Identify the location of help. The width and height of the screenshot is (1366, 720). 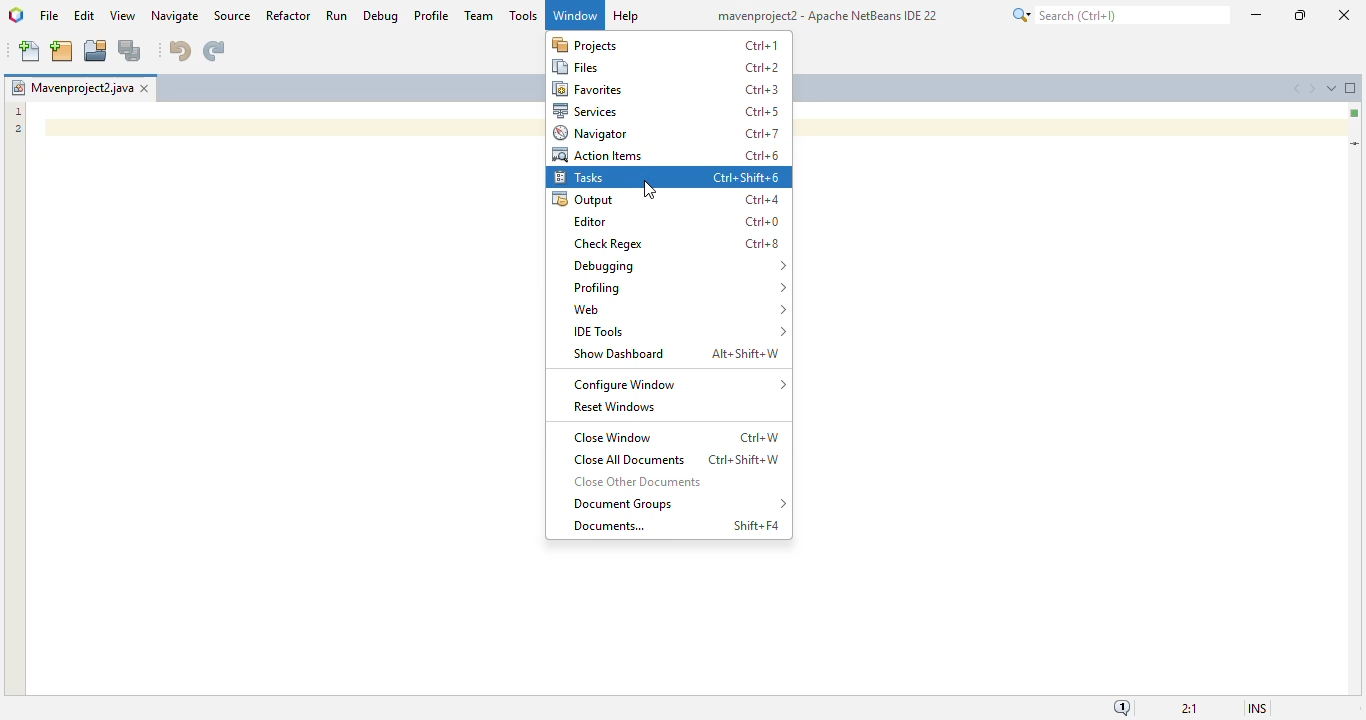
(626, 16).